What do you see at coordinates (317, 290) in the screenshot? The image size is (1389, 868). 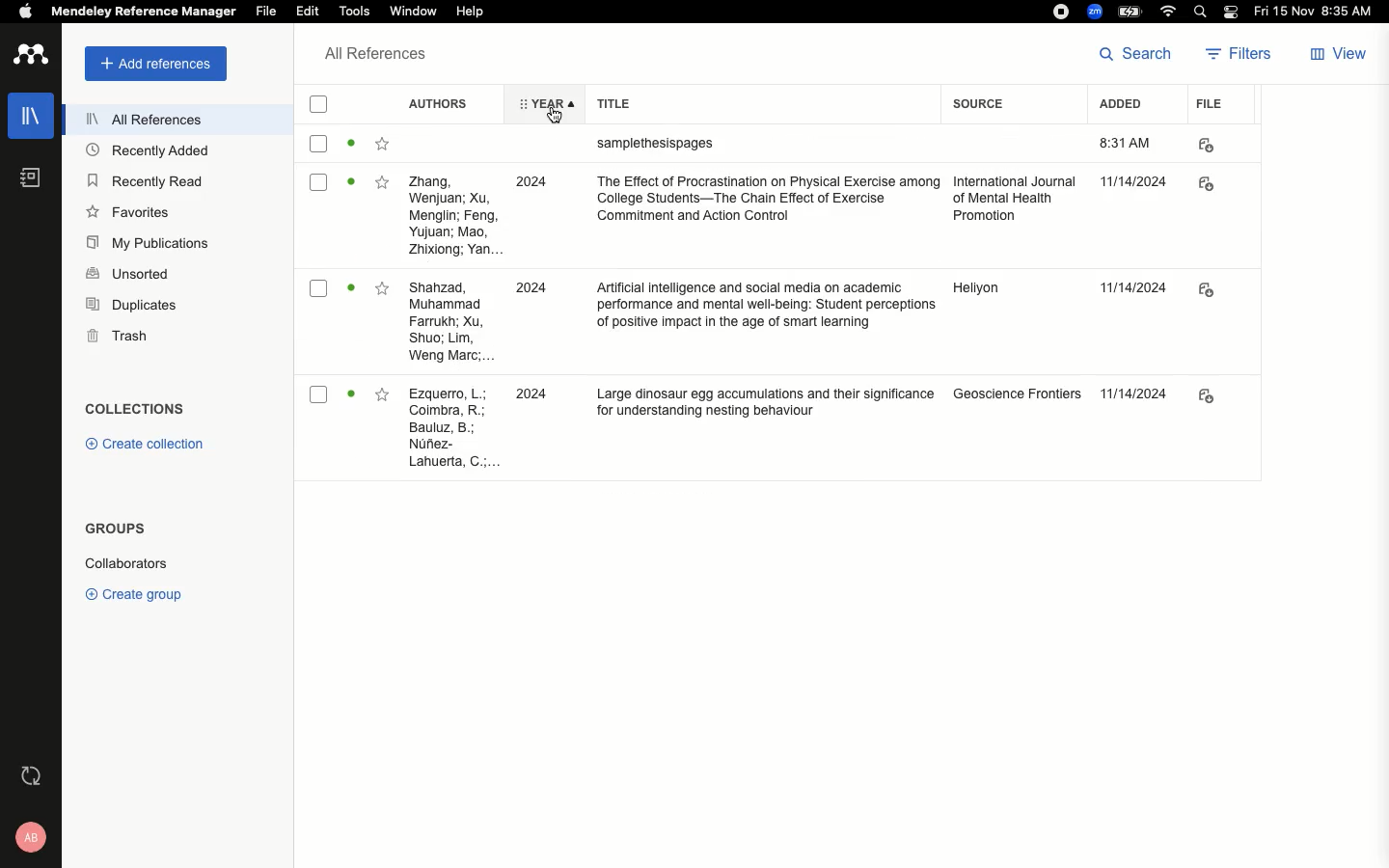 I see `select document` at bounding box center [317, 290].